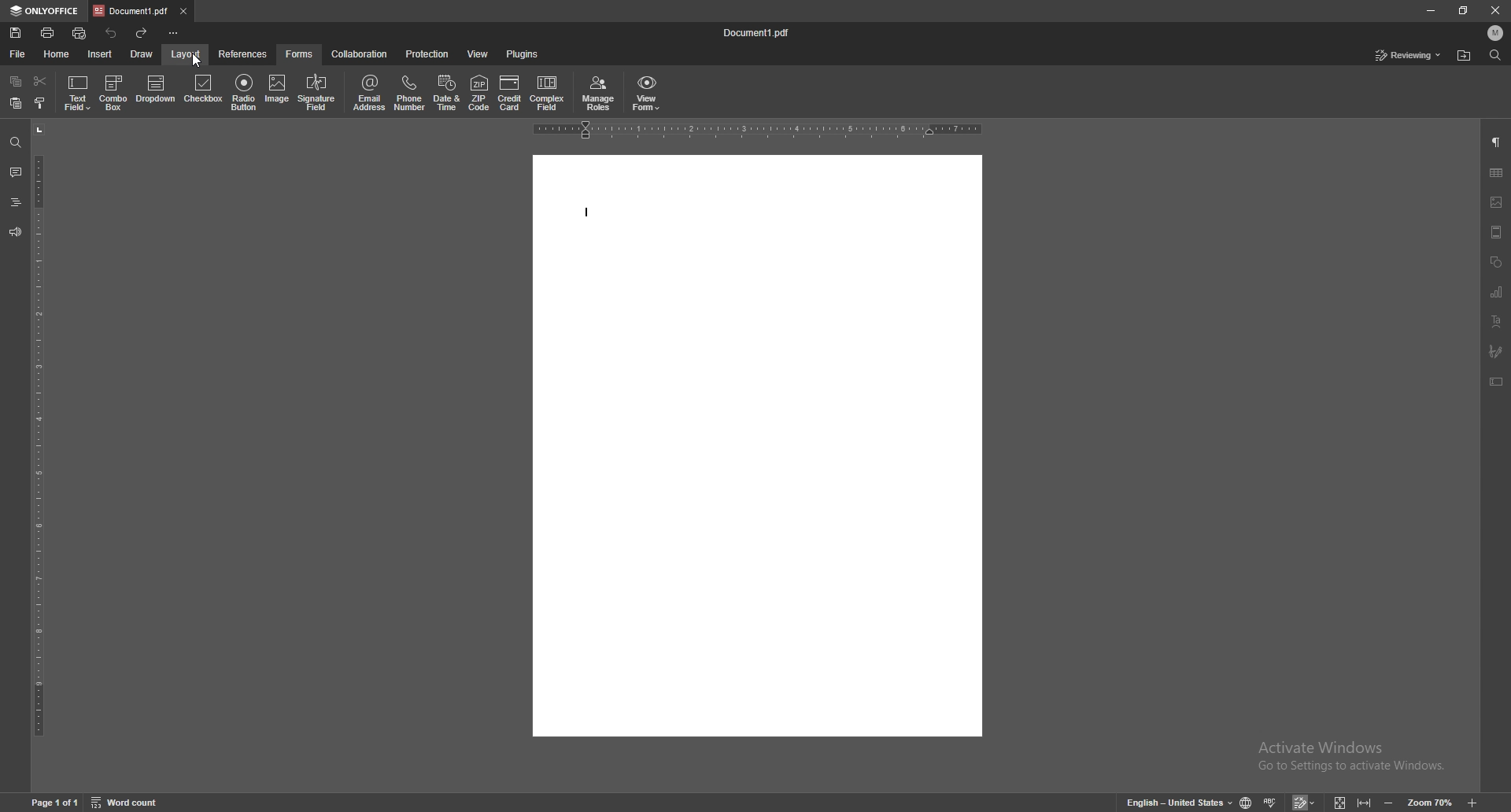 This screenshot has height=812, width=1511. I want to click on change doc language, so click(1247, 803).